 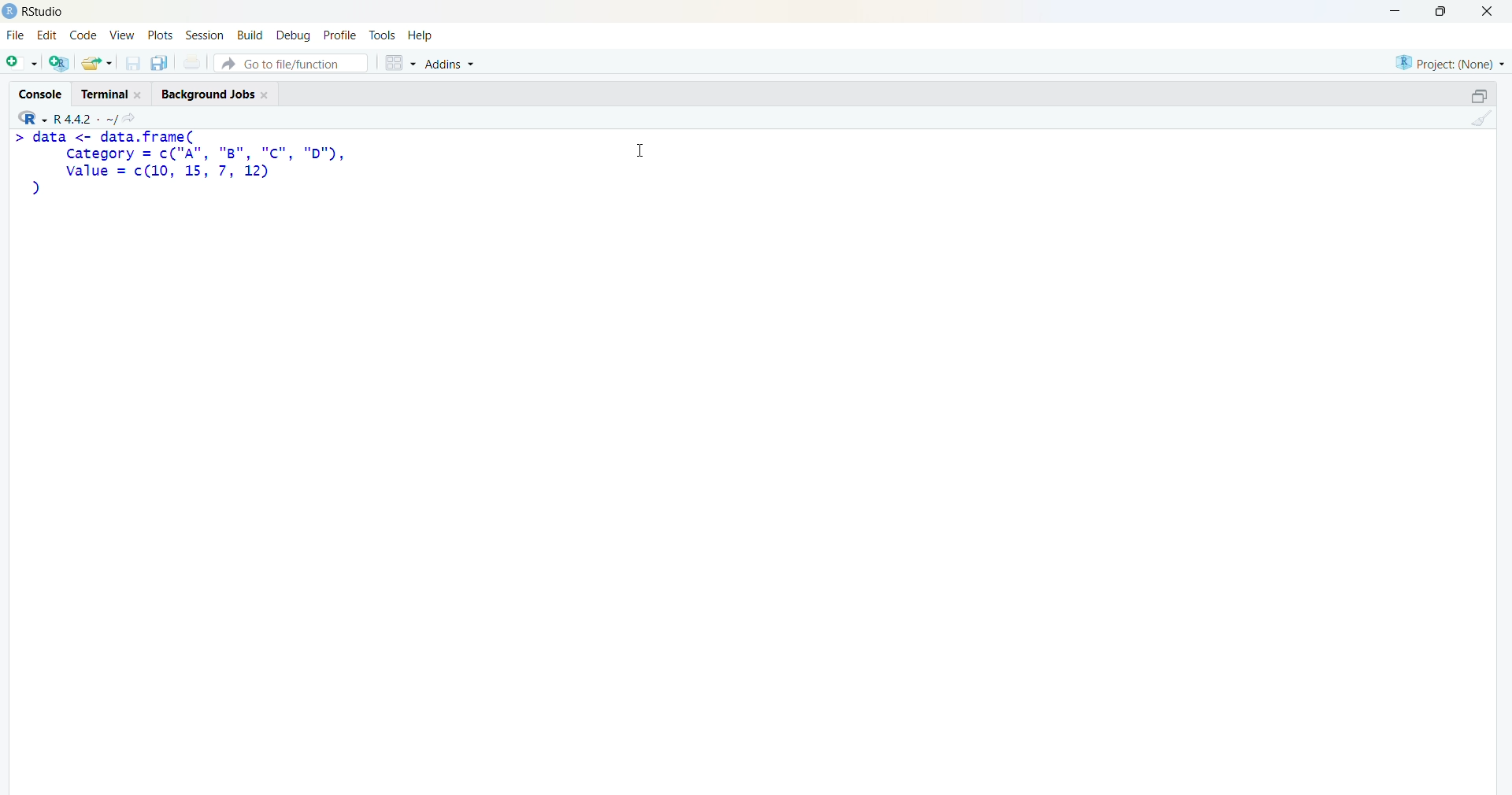 What do you see at coordinates (1484, 11) in the screenshot?
I see `Close` at bounding box center [1484, 11].